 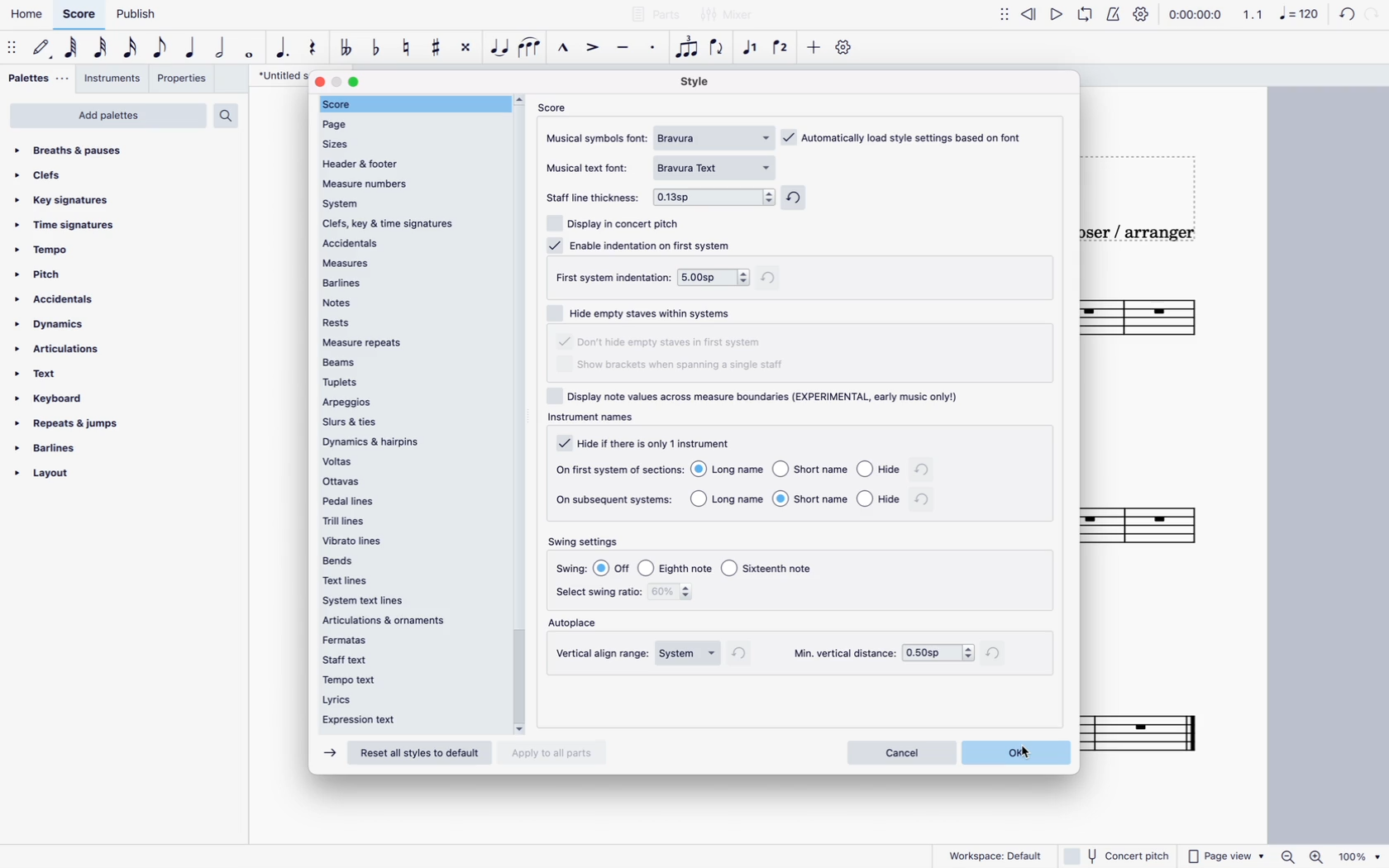 I want to click on articulations, so click(x=63, y=351).